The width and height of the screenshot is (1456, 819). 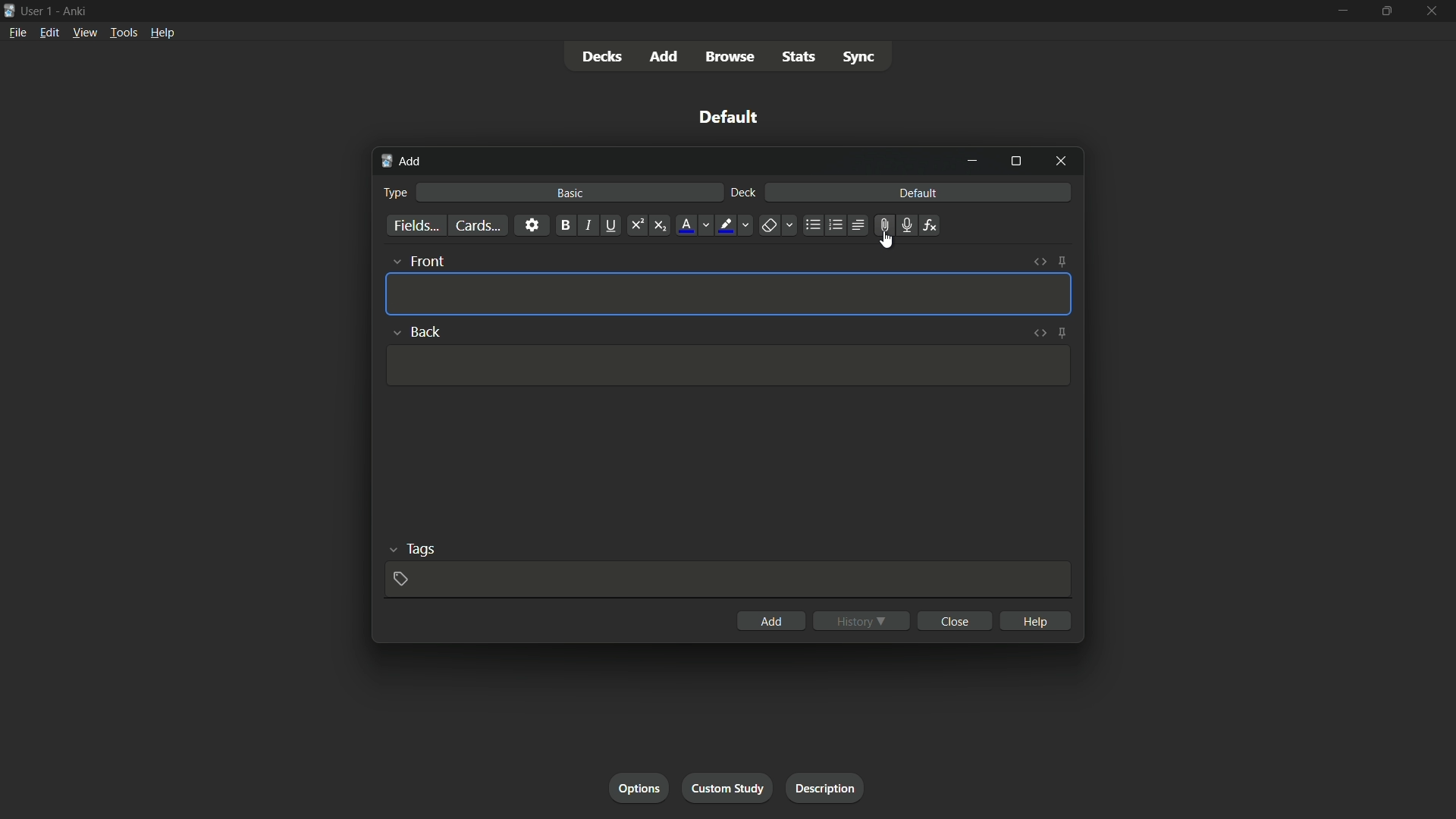 What do you see at coordinates (1040, 261) in the screenshot?
I see `toggle html editor` at bounding box center [1040, 261].